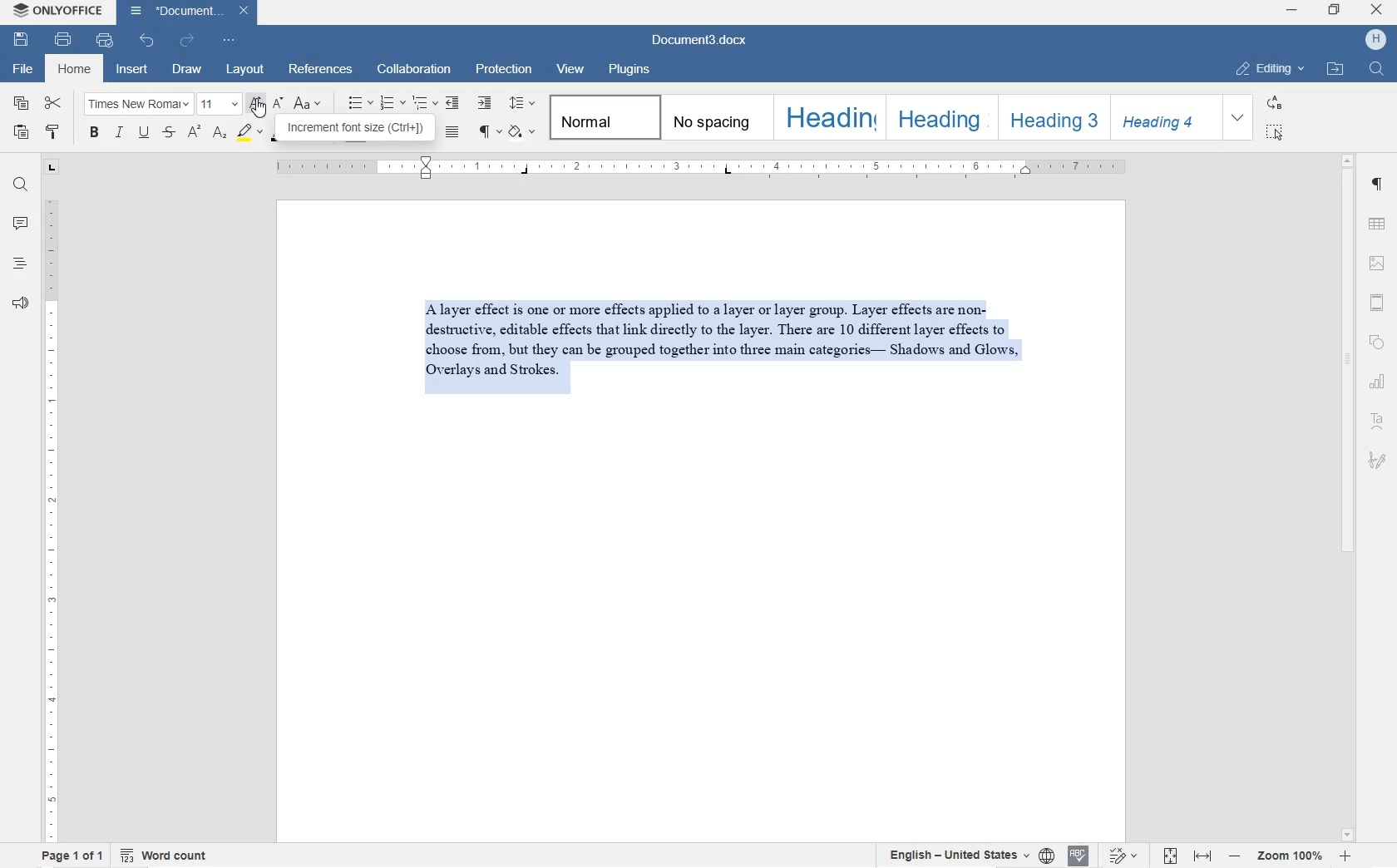 This screenshot has height=868, width=1397. Describe the element at coordinates (121, 131) in the screenshot. I see `ITALIC` at that location.